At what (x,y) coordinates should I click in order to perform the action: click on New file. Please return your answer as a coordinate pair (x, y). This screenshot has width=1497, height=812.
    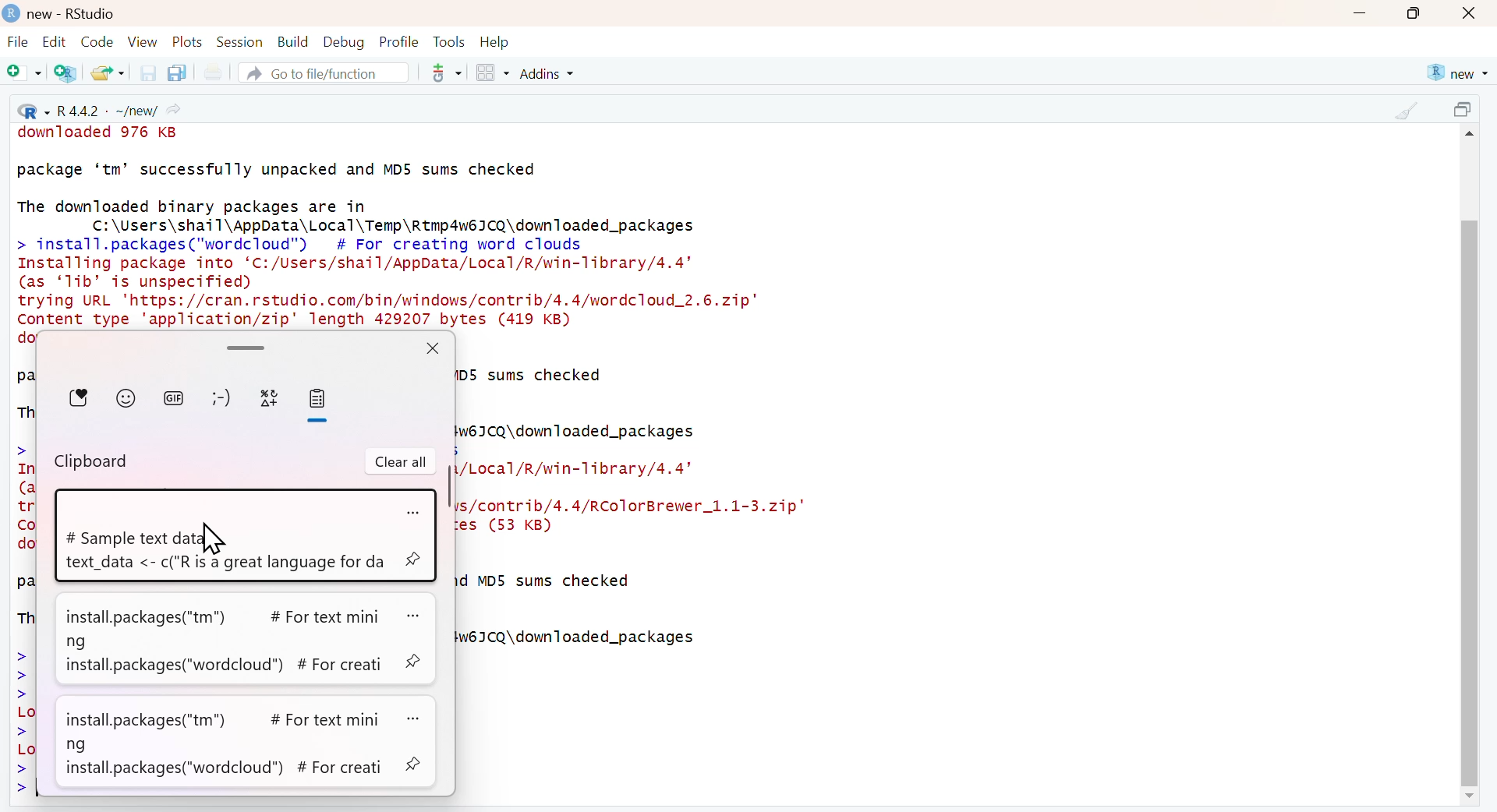
    Looking at the image, I should click on (23, 73).